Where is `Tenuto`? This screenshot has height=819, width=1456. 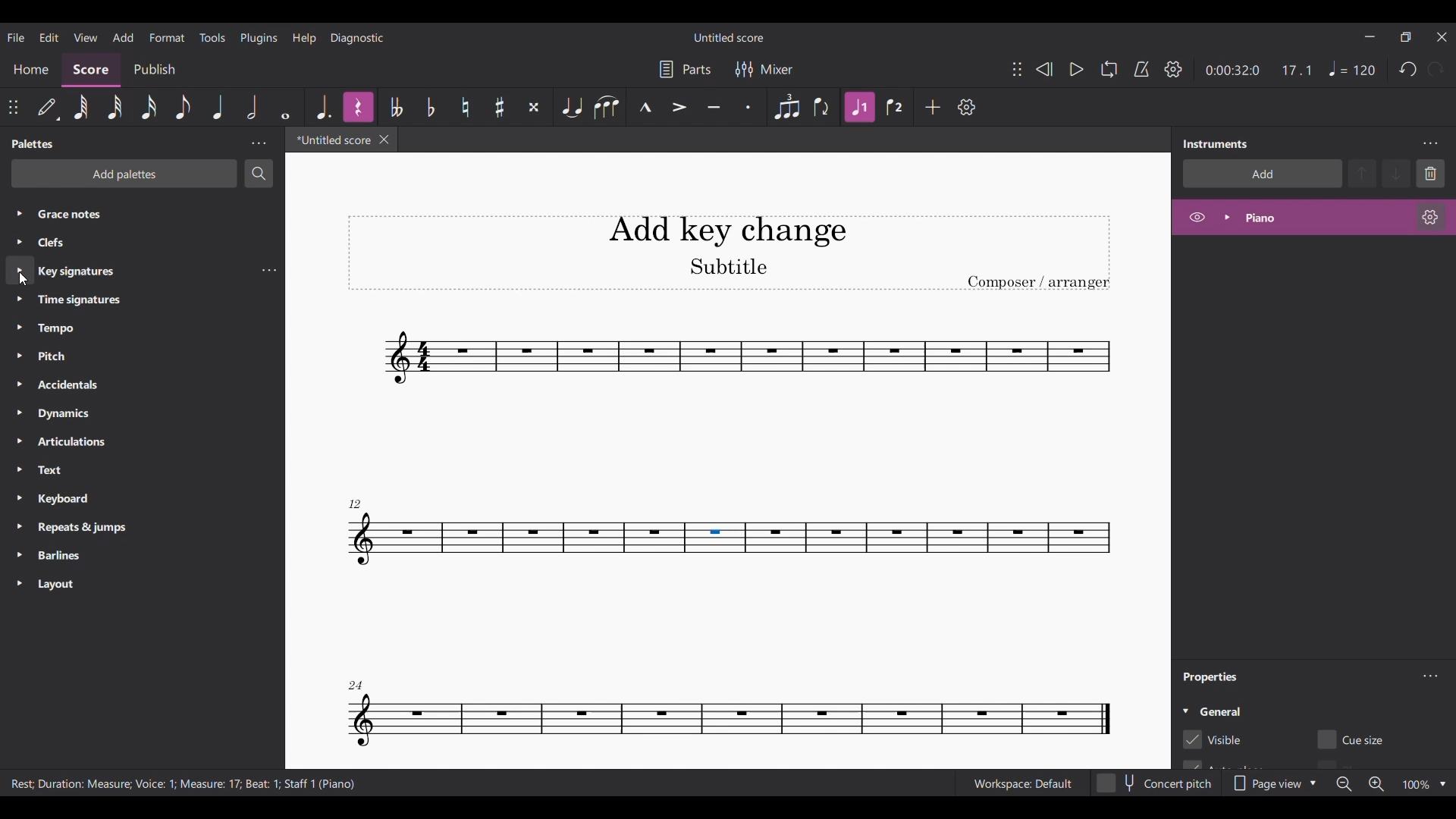 Tenuto is located at coordinates (714, 106).